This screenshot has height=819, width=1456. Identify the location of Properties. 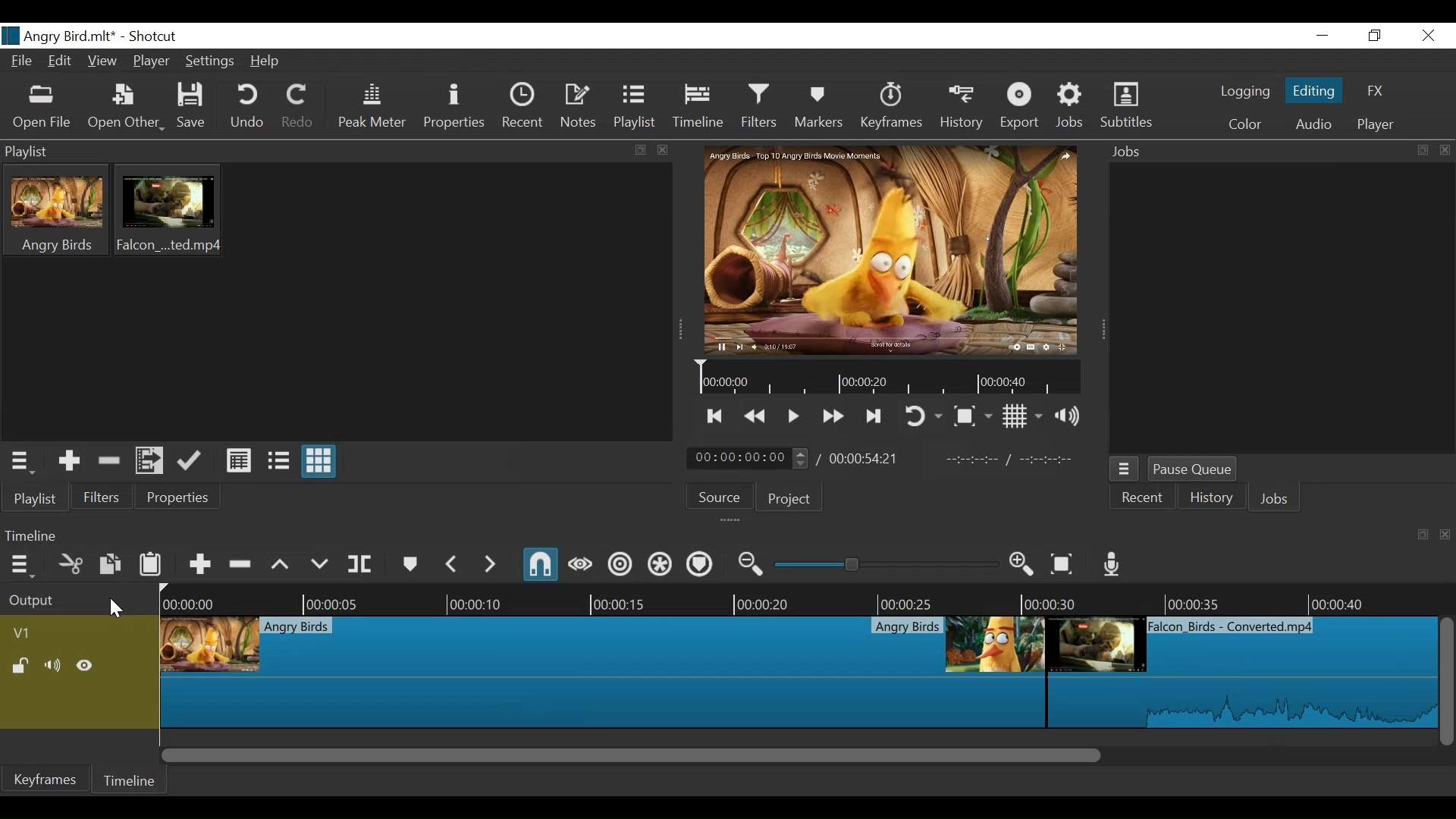
(456, 107).